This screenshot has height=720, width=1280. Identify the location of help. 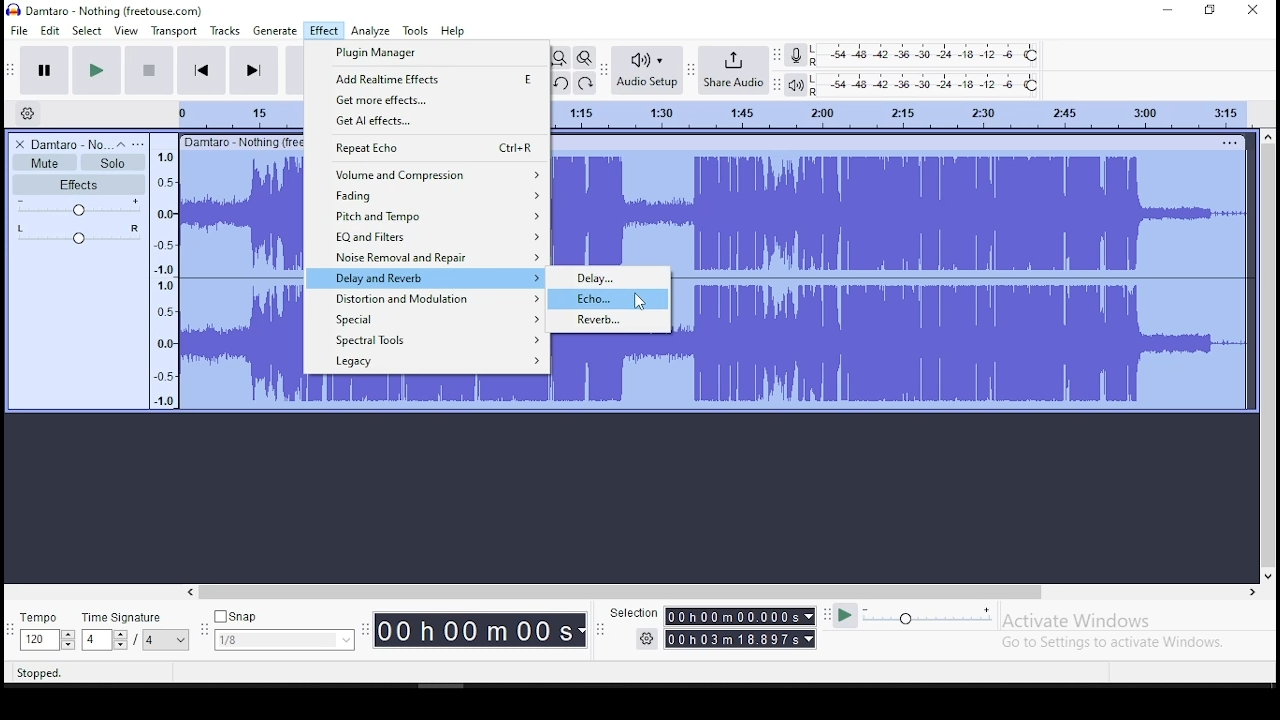
(454, 30).